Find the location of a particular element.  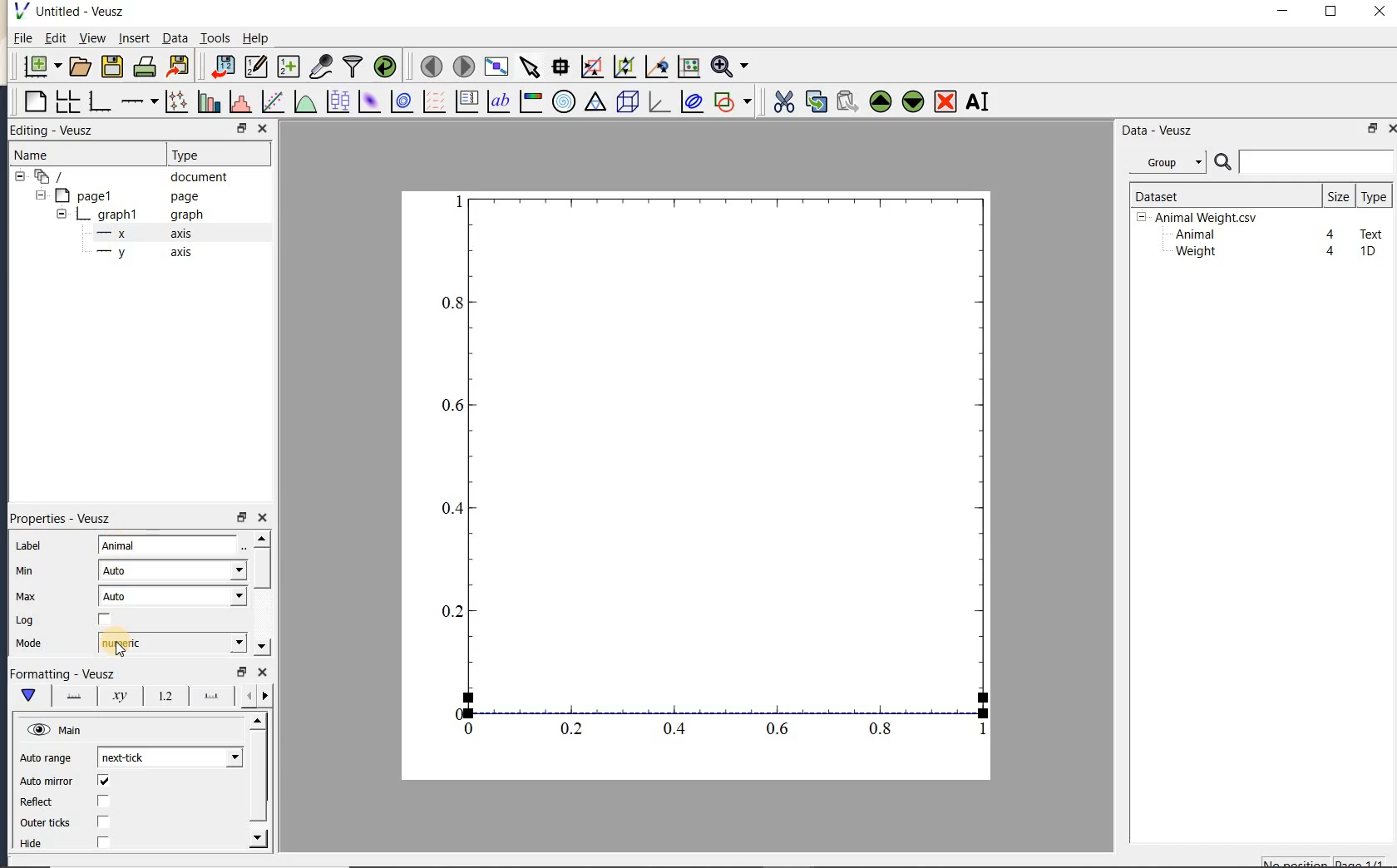

type is located at coordinates (1373, 196).